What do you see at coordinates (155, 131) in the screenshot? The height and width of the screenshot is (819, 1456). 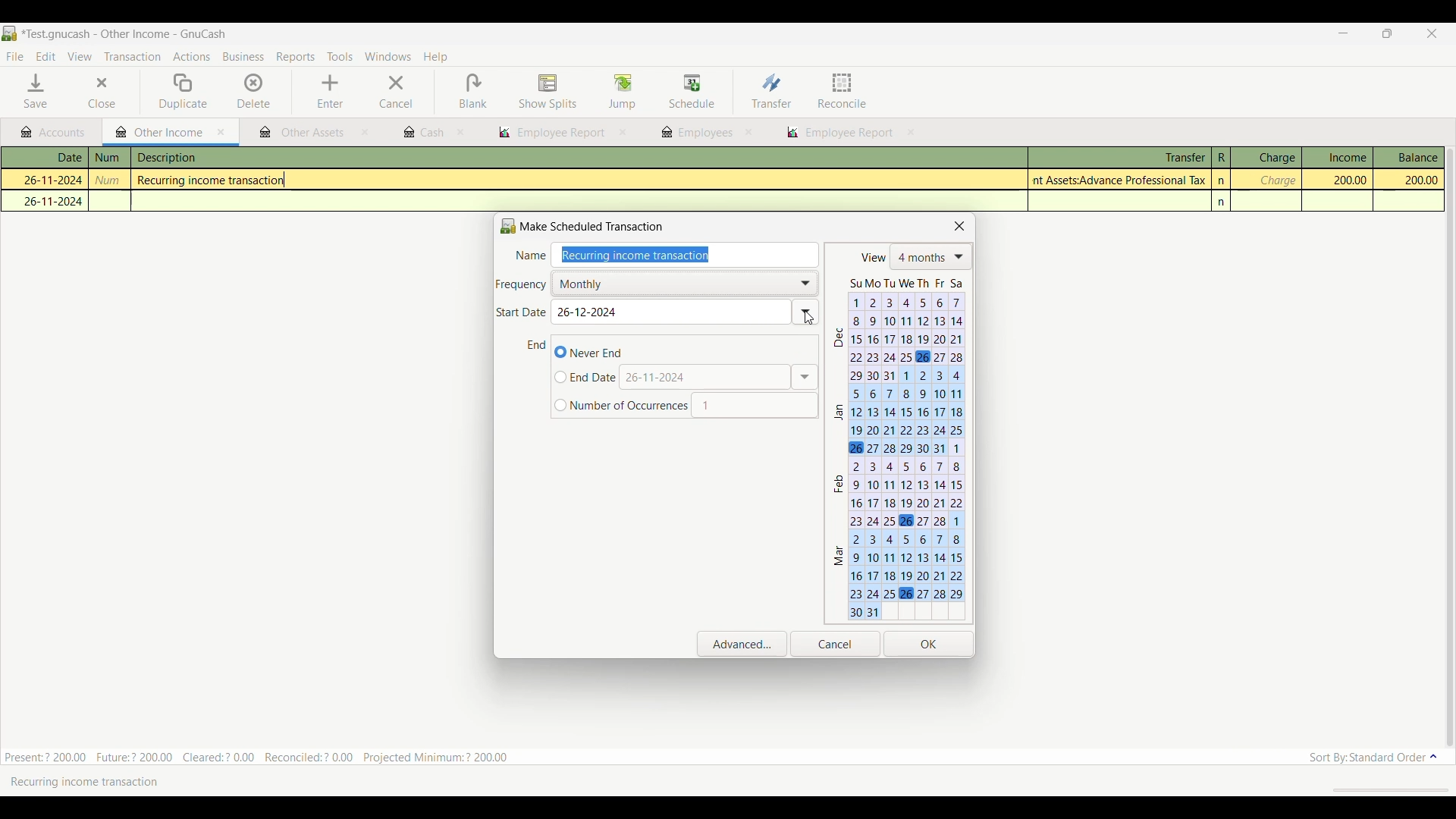 I see `Current tab highlight` at bounding box center [155, 131].